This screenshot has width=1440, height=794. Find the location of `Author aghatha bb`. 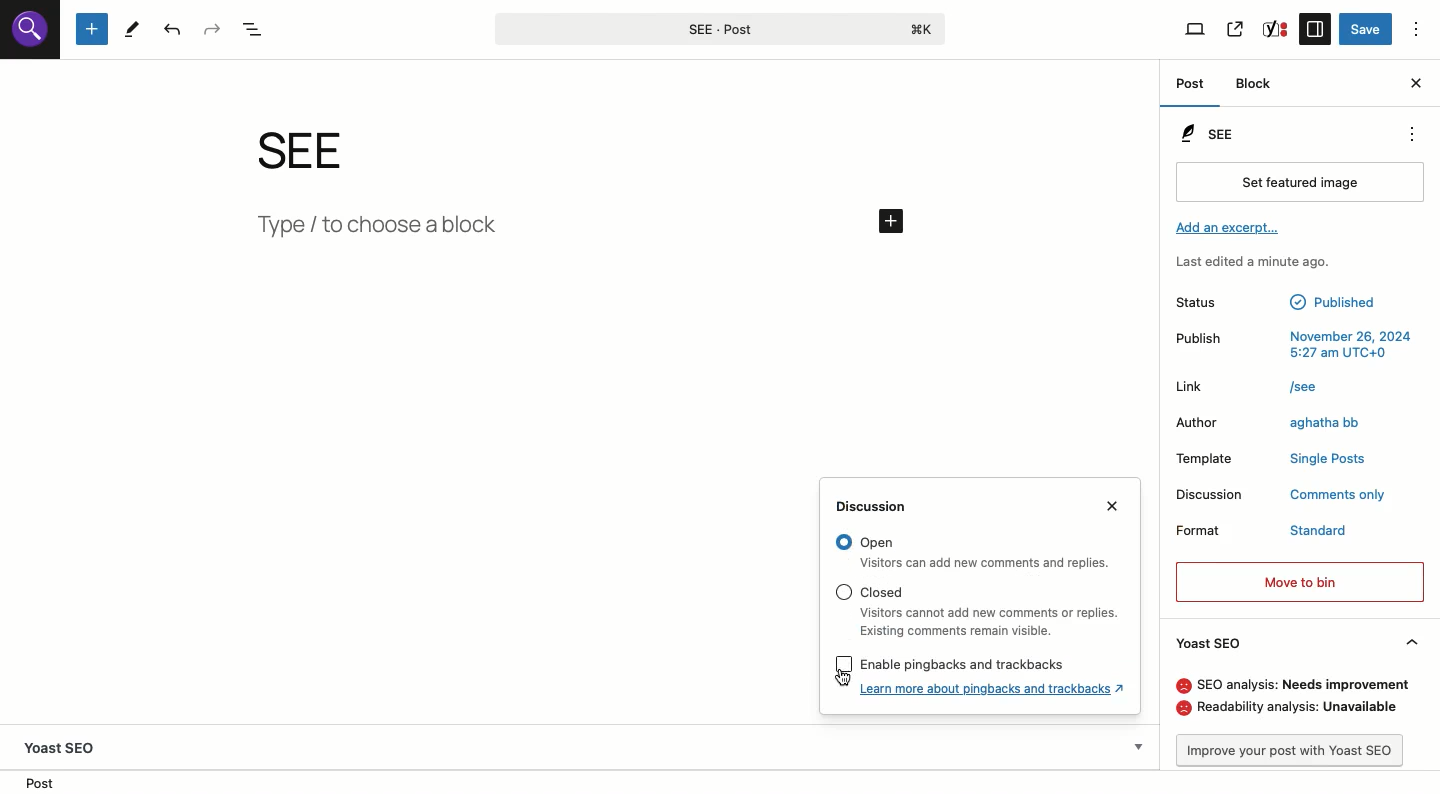

Author aghatha bb is located at coordinates (1278, 426).